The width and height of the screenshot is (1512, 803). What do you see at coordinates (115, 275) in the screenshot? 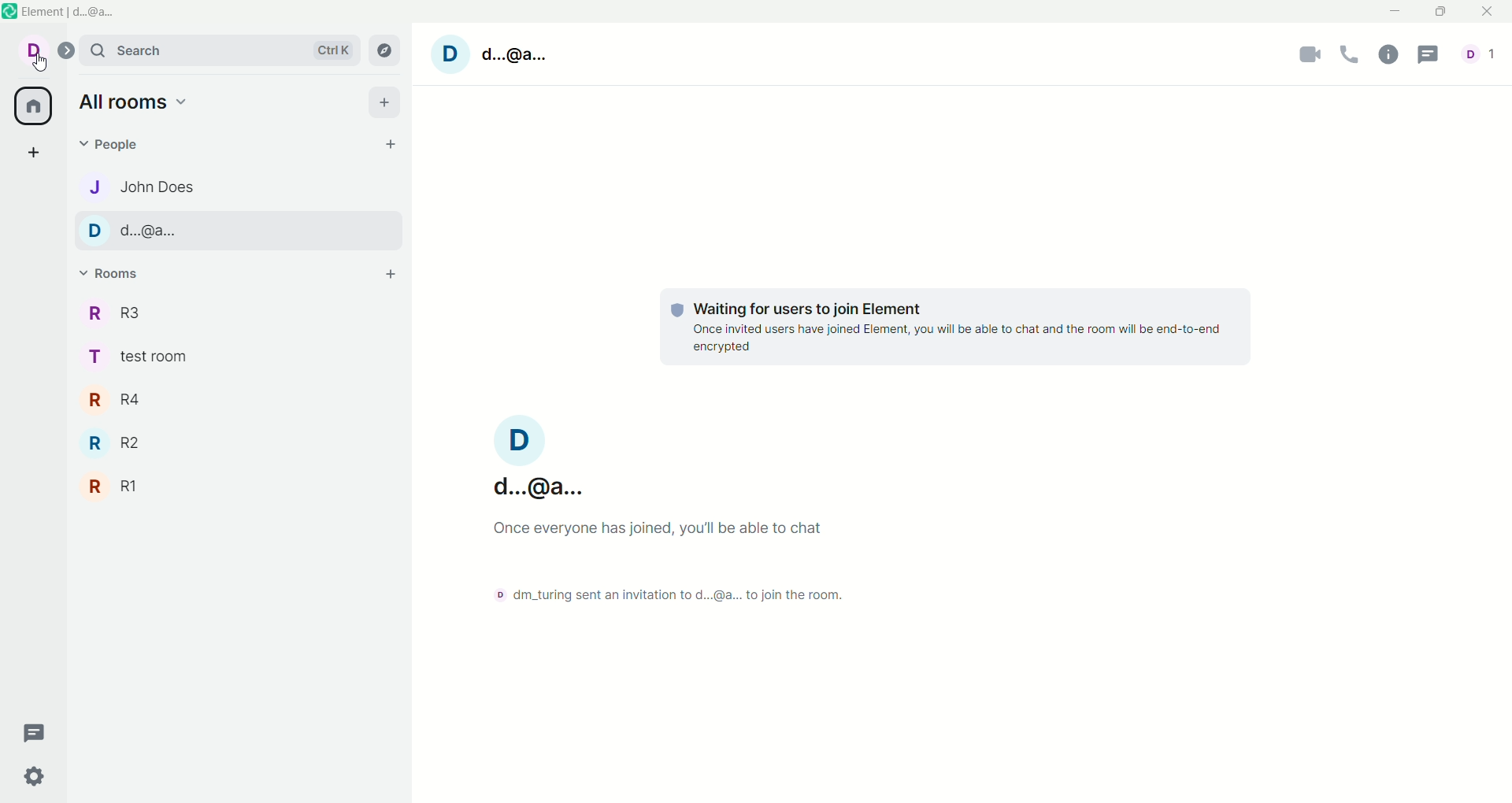
I see `rooms` at bounding box center [115, 275].